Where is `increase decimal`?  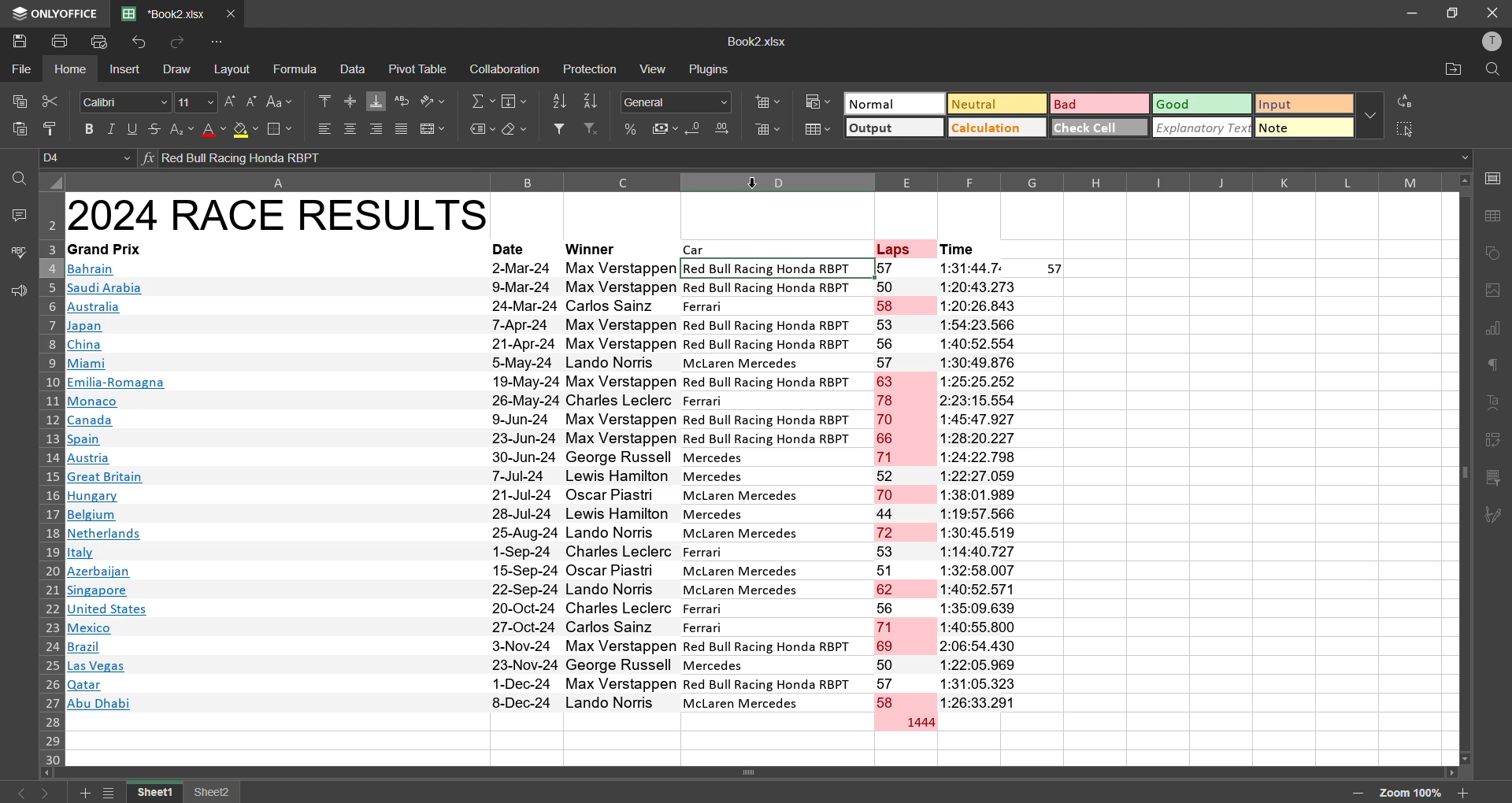 increase decimal is located at coordinates (724, 128).